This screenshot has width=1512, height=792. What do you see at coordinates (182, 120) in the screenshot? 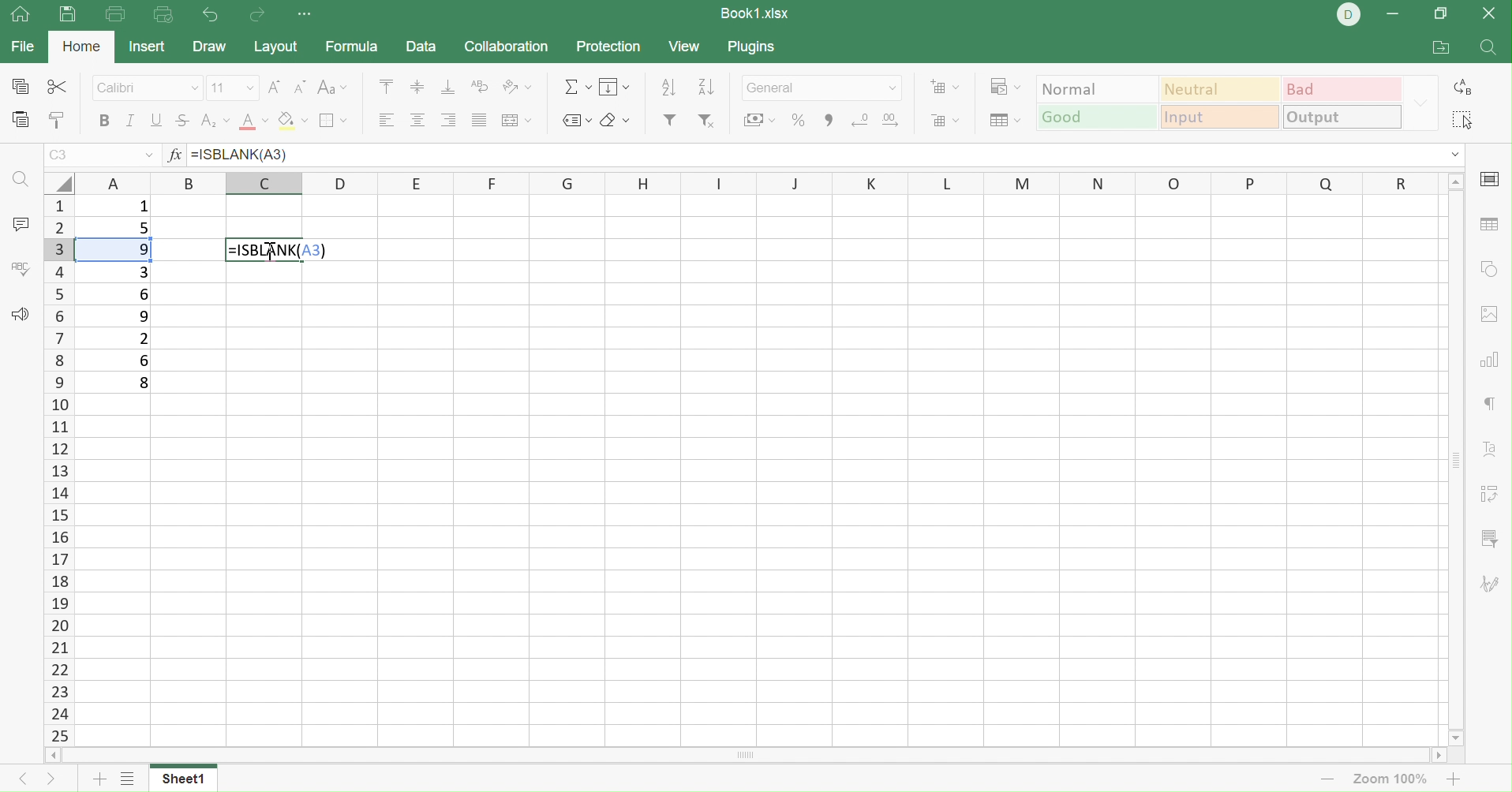
I see `Strikethrough` at bounding box center [182, 120].